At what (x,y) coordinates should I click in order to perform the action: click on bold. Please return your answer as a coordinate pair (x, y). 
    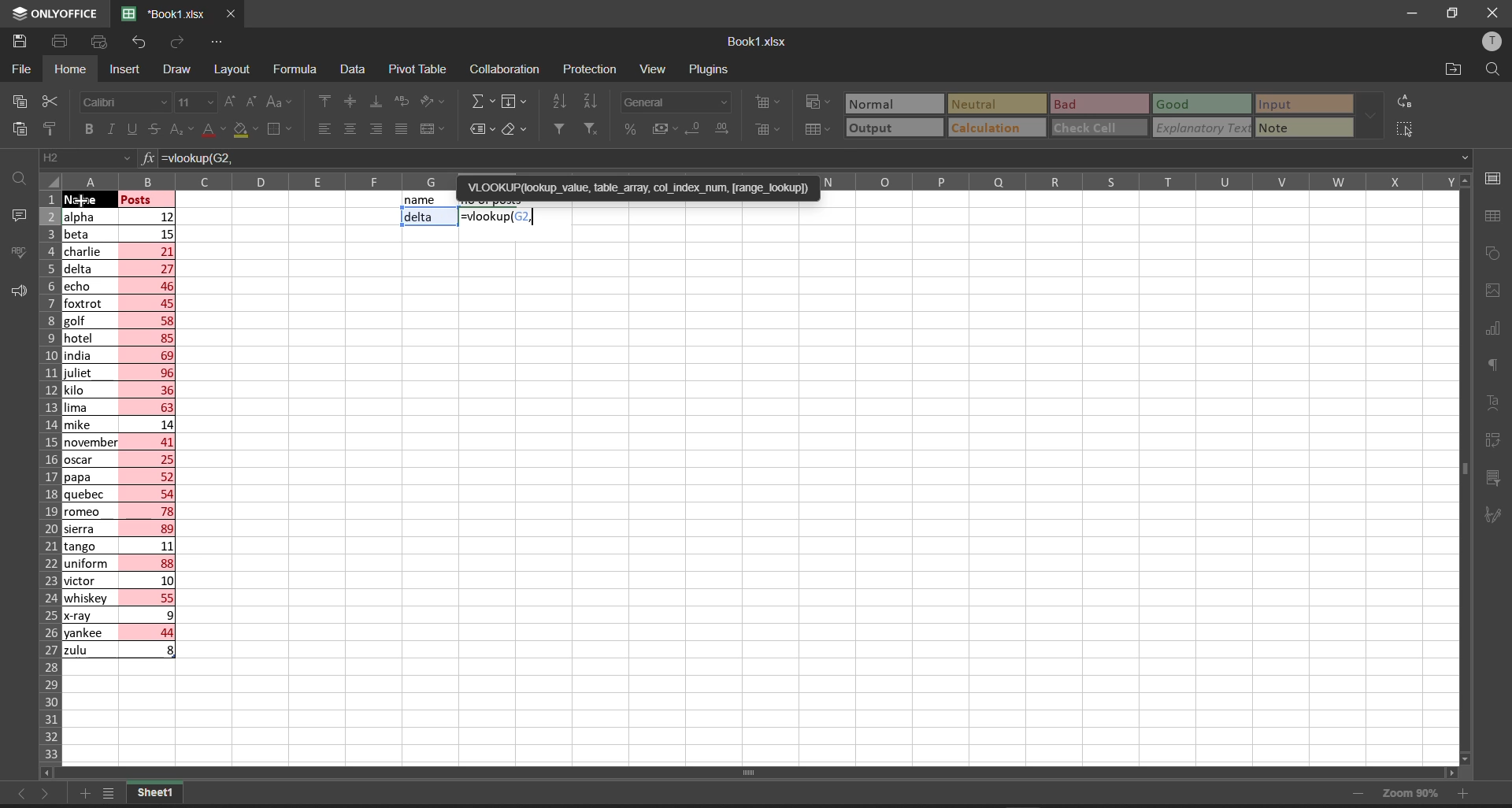
    Looking at the image, I should click on (88, 129).